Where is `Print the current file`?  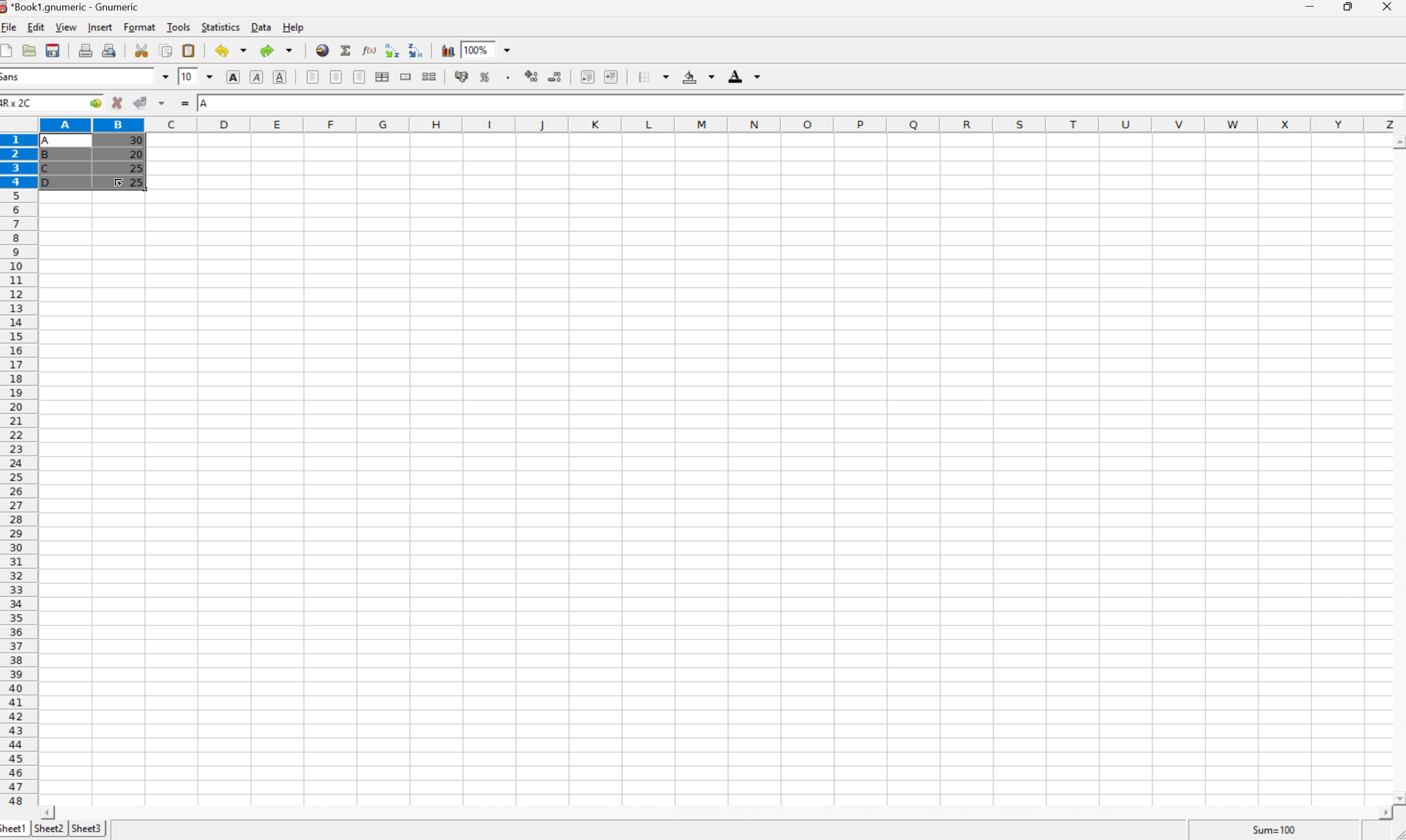
Print the current file is located at coordinates (86, 50).